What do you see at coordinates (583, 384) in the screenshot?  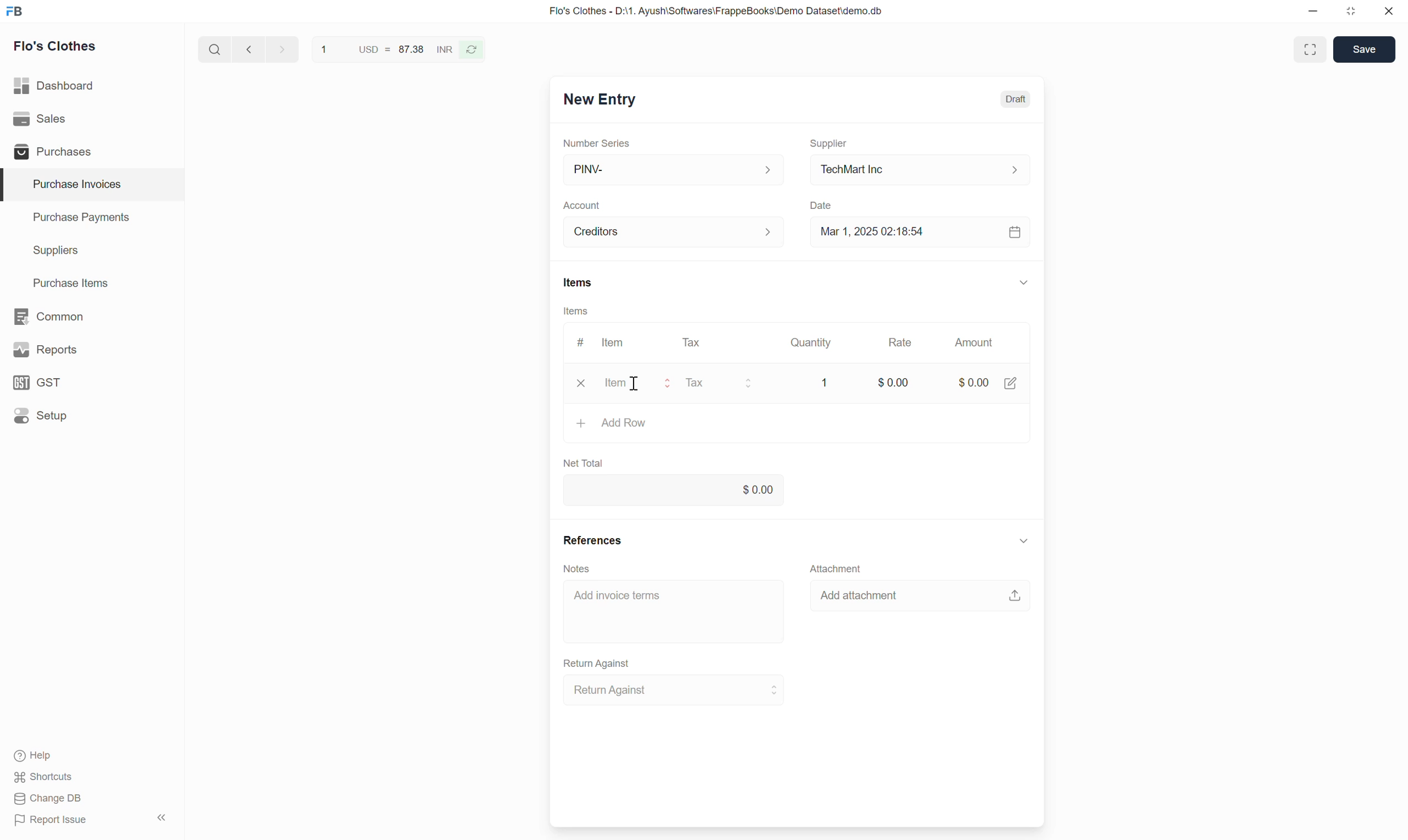 I see `clear/remove input` at bounding box center [583, 384].